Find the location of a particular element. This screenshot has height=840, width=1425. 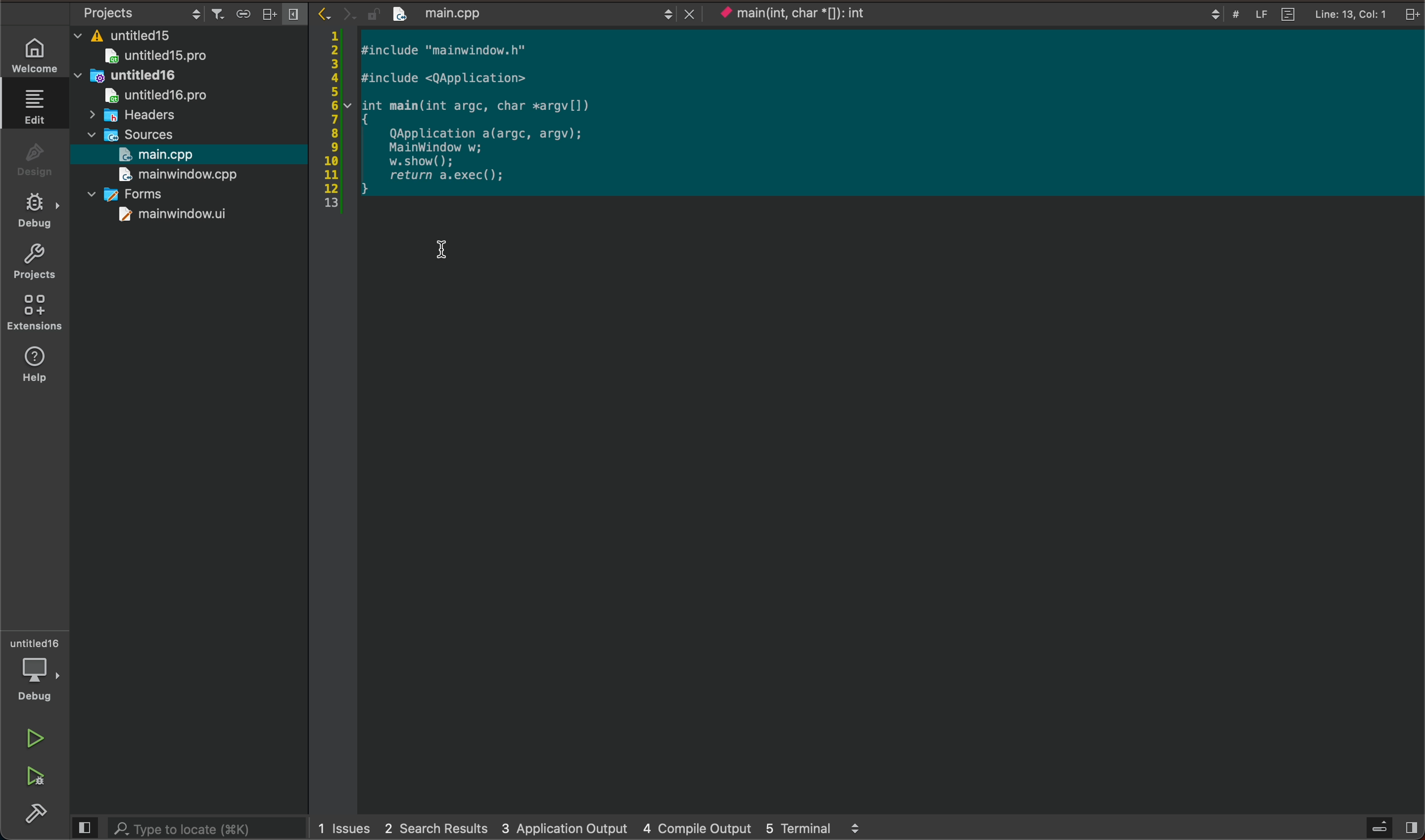

file info is located at coordinates (1289, 14).